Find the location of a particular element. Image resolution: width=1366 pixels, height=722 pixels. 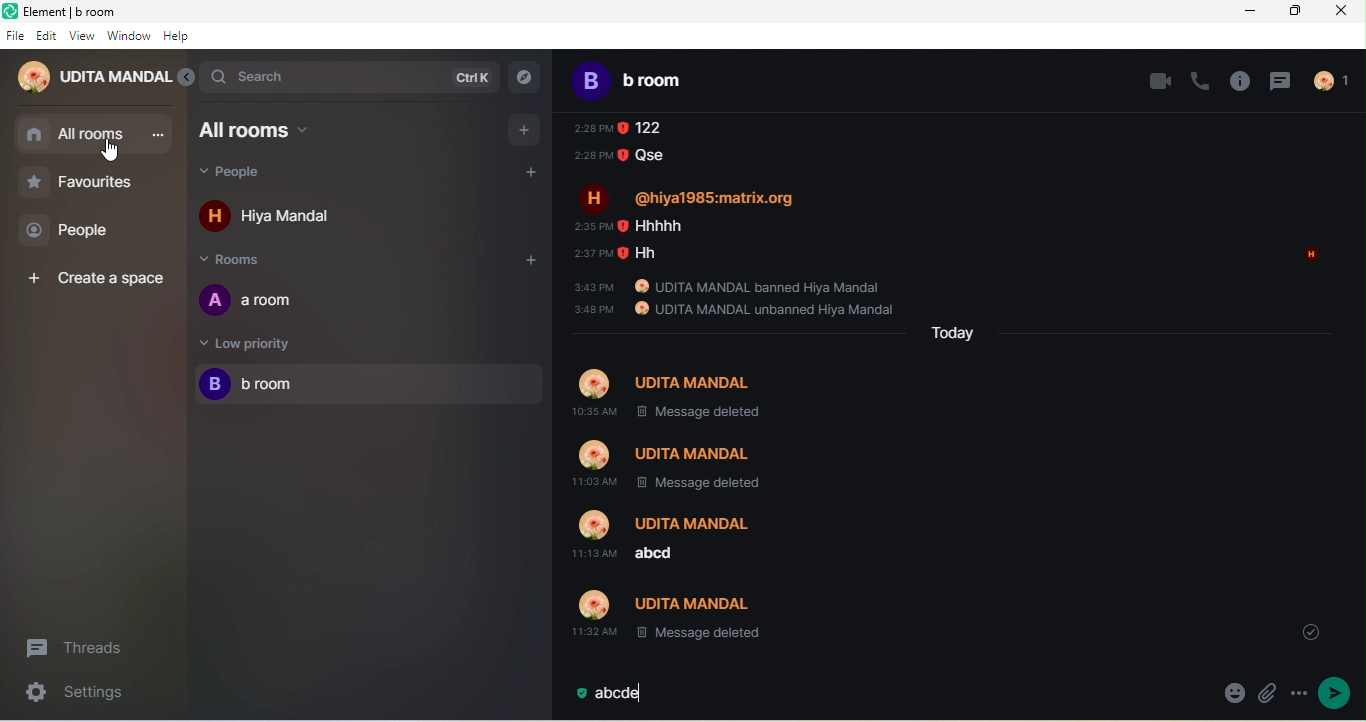

file is located at coordinates (15, 36).